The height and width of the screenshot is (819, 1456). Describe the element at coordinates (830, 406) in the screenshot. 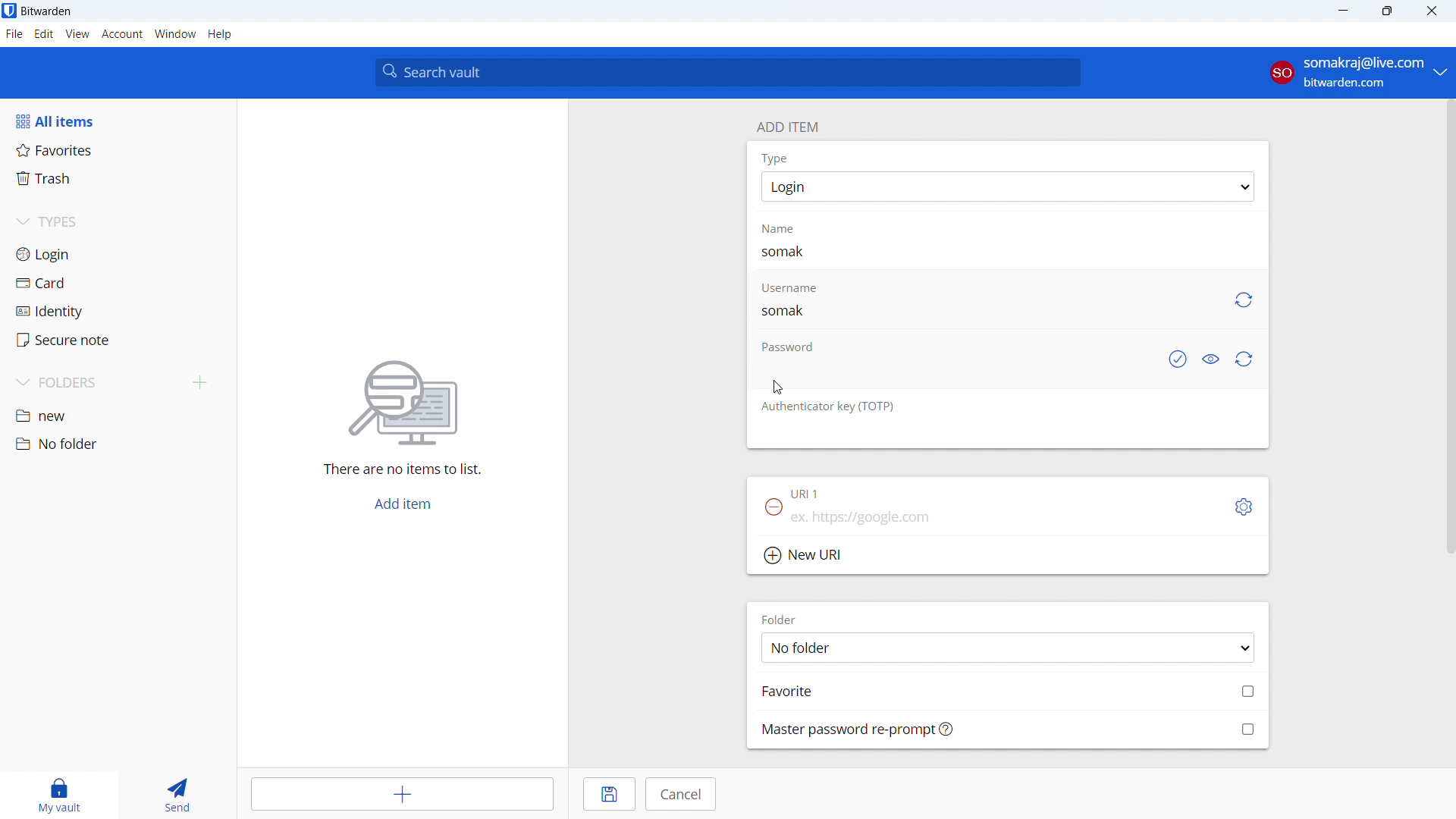

I see `otp` at that location.